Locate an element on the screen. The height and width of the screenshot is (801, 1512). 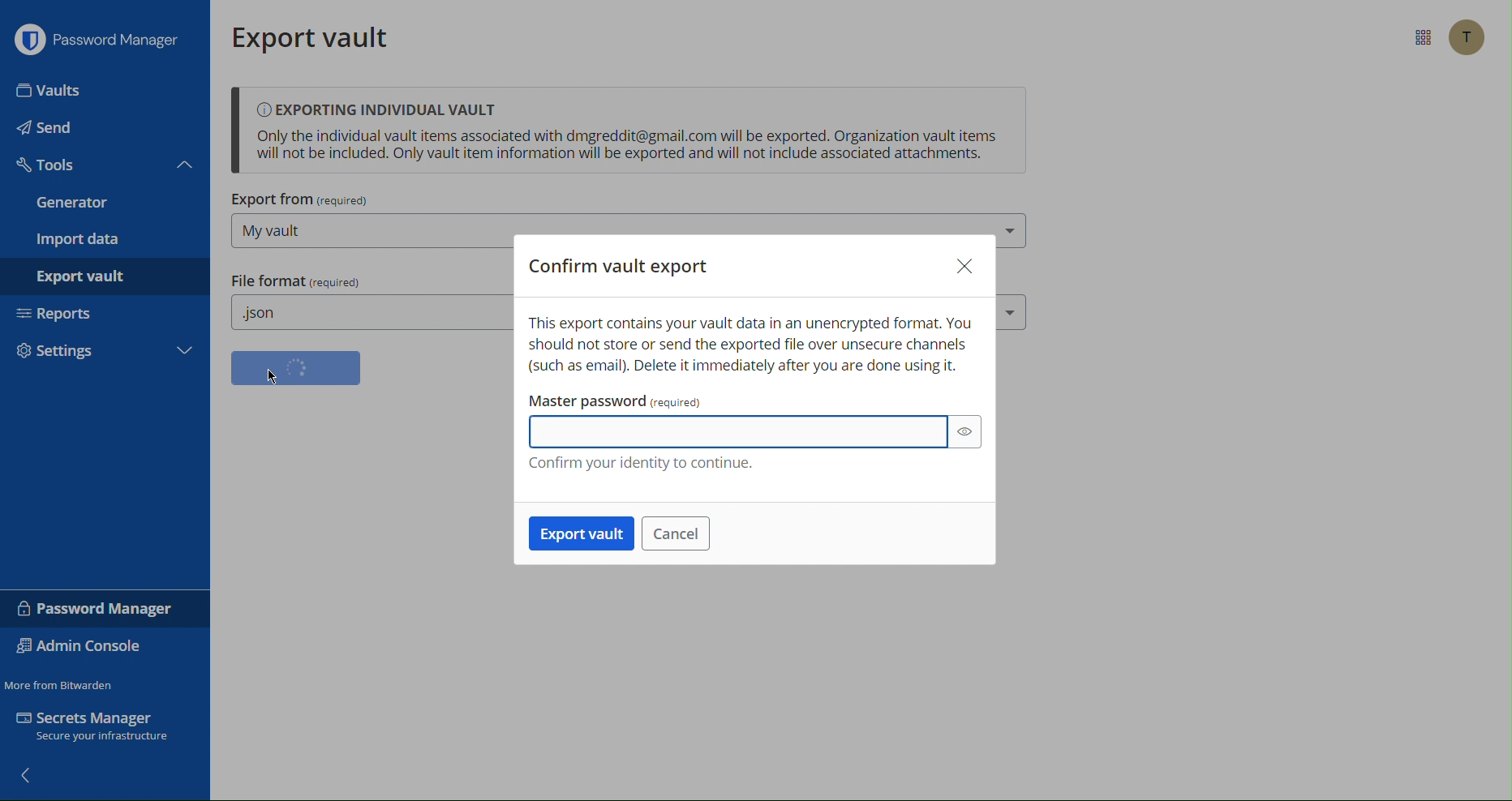
Exporting Individual Vault is located at coordinates (628, 131).